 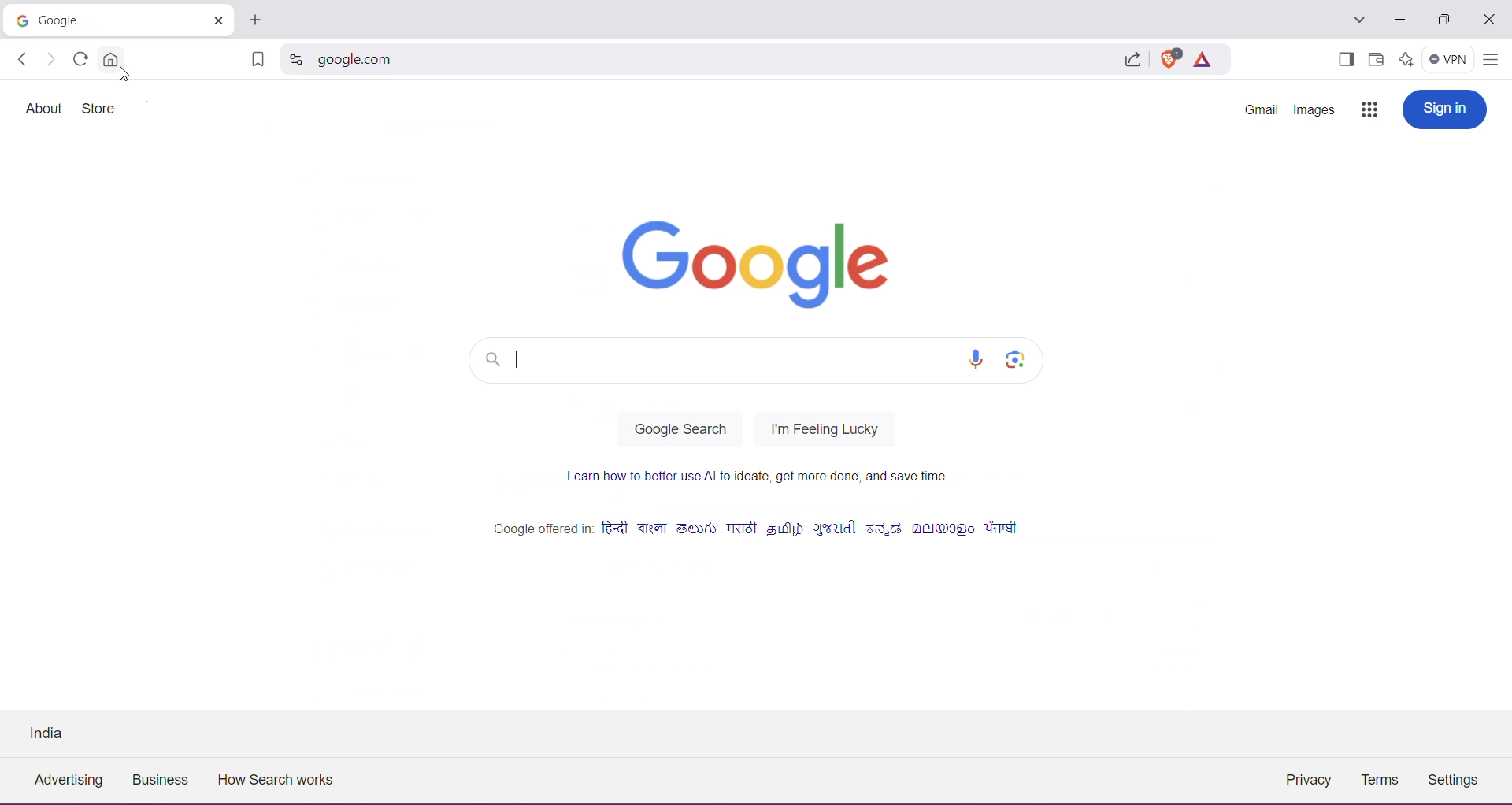 I want to click on text cursor, so click(x=517, y=354).